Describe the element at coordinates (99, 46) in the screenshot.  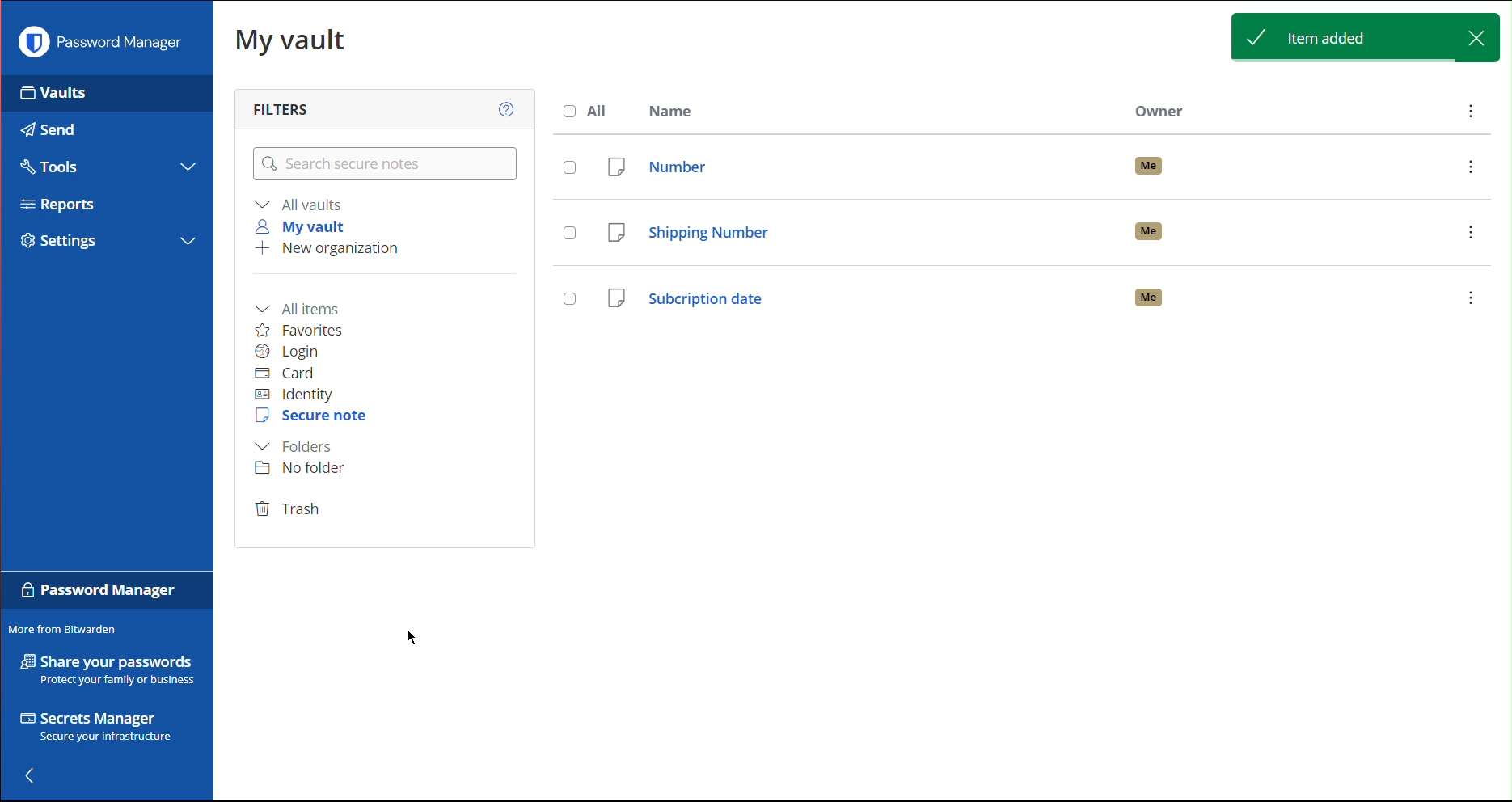
I see `Password Manager` at that location.